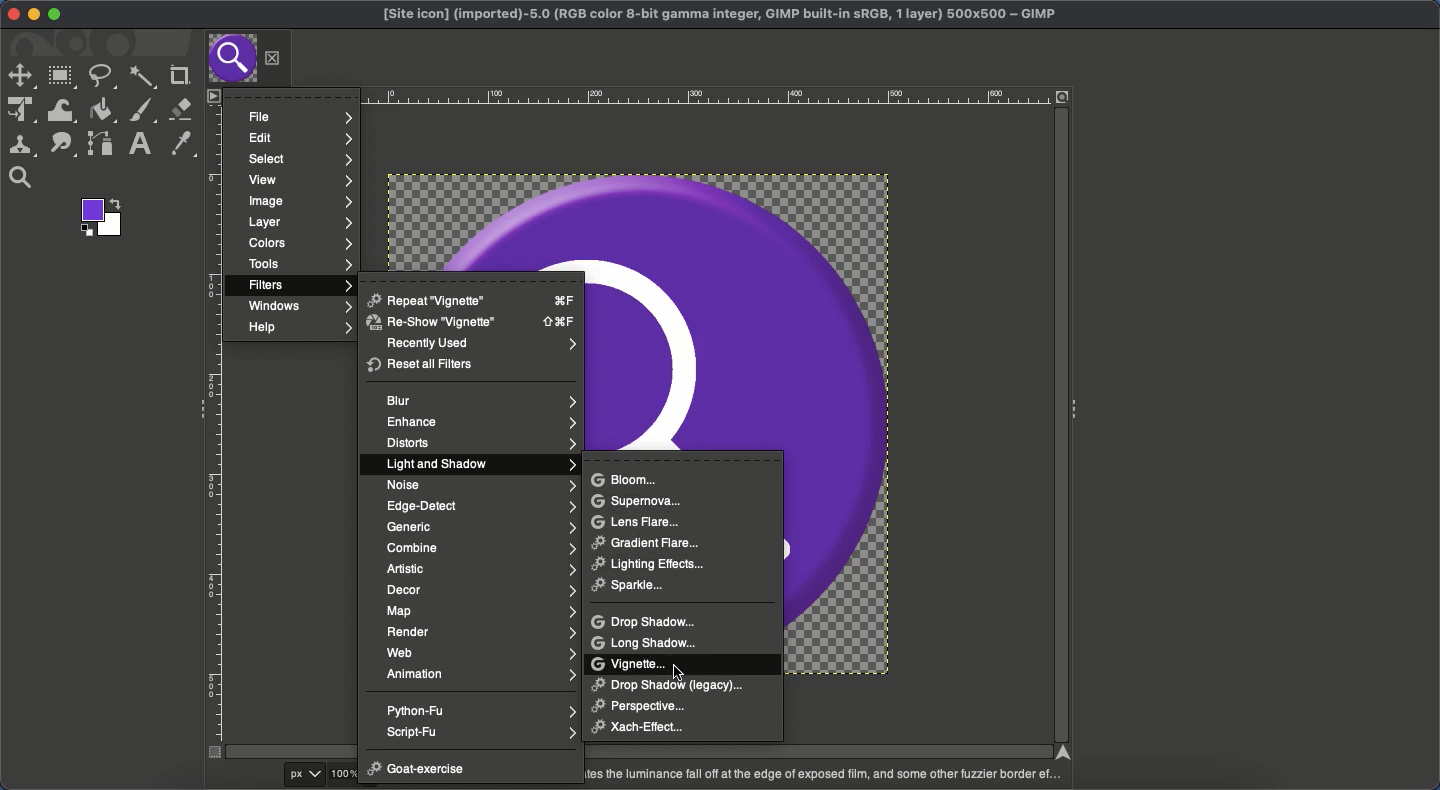 This screenshot has width=1440, height=790. What do you see at coordinates (481, 466) in the screenshot?
I see `Light and shadow` at bounding box center [481, 466].